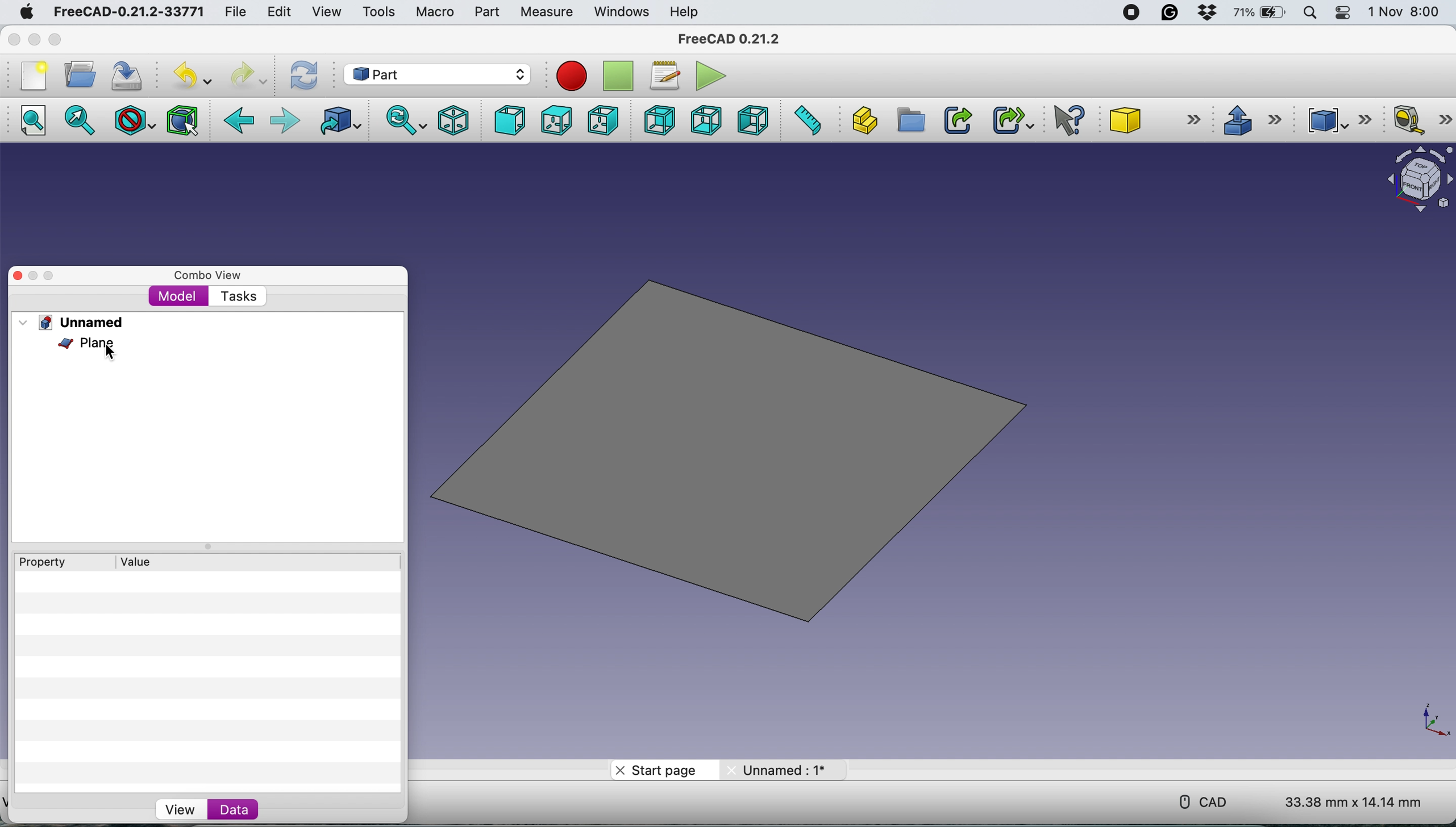  What do you see at coordinates (1313, 12) in the screenshot?
I see `spotlight search` at bounding box center [1313, 12].